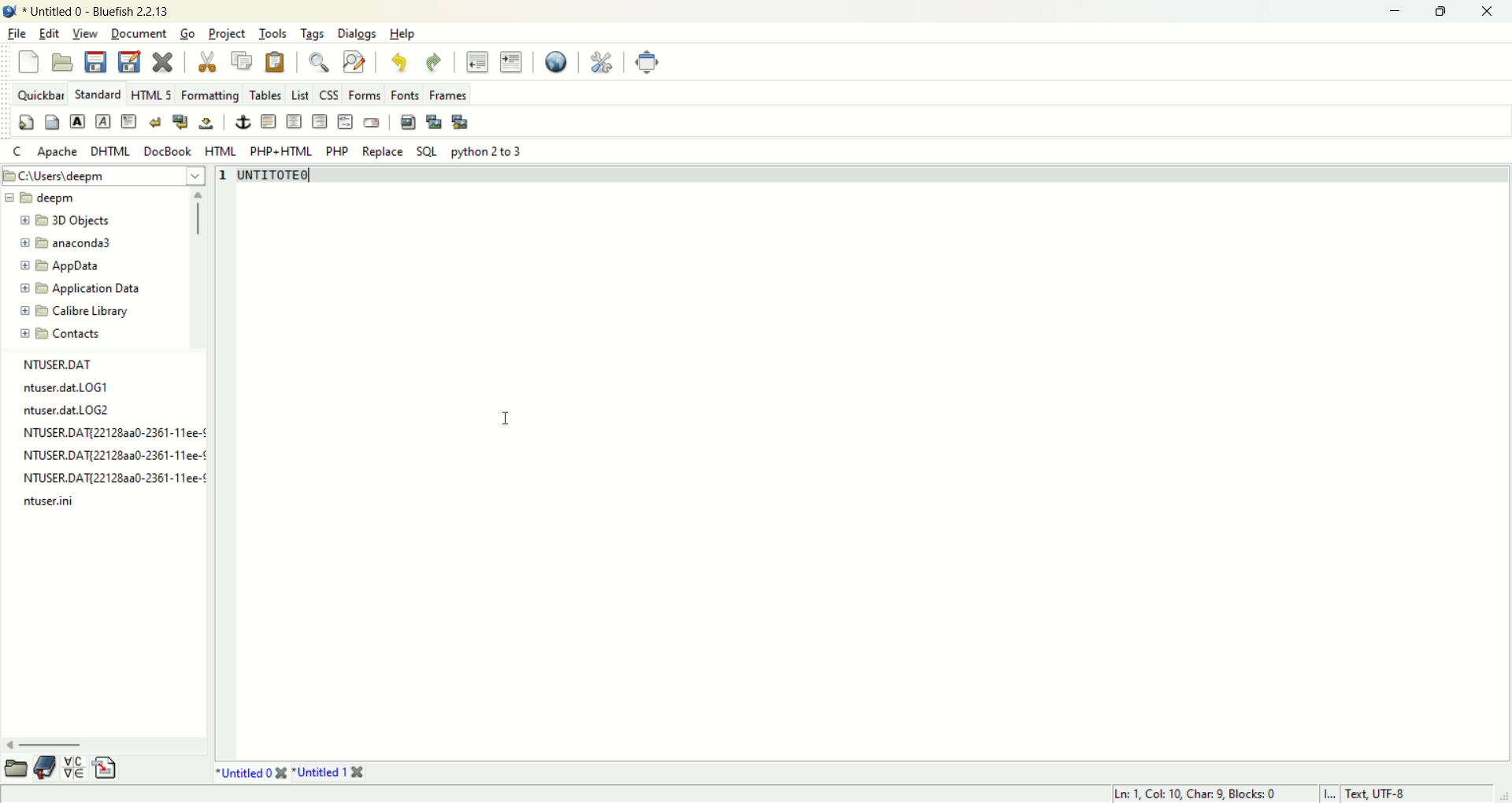 The width and height of the screenshot is (1512, 803). Describe the element at coordinates (220, 150) in the screenshot. I see `HTML` at that location.